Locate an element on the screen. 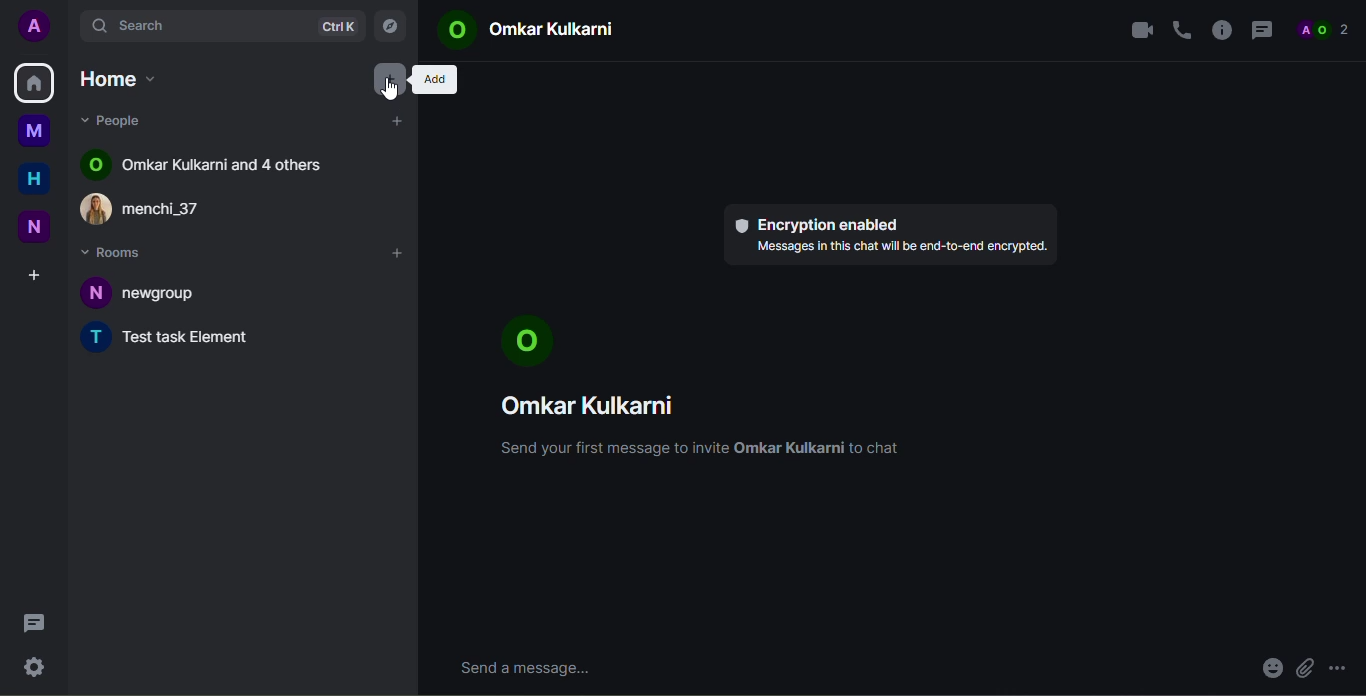 The width and height of the screenshot is (1366, 696). O Omar Kulkarni and 4 others is located at coordinates (205, 164).